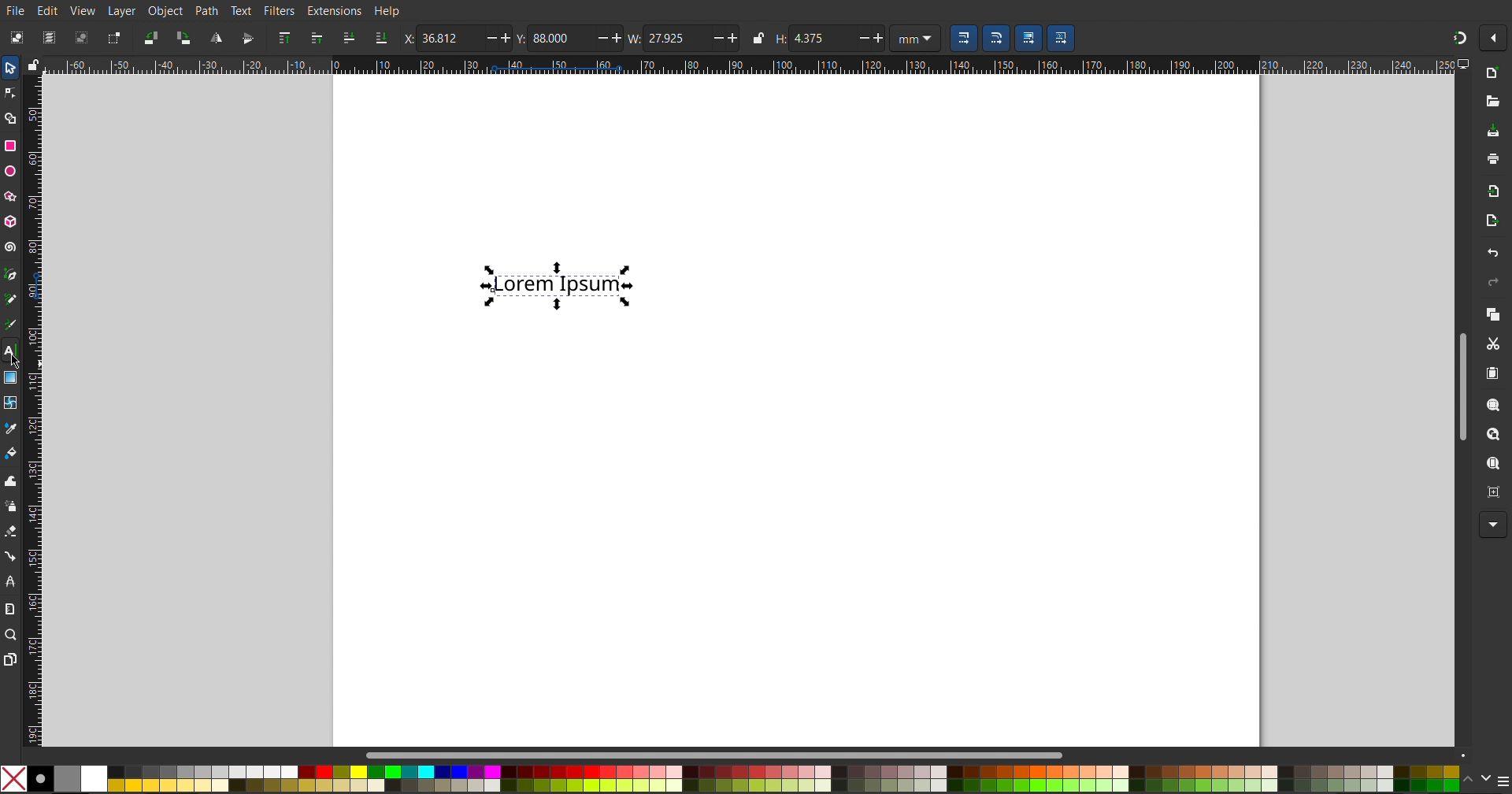 The height and width of the screenshot is (794, 1512). What do you see at coordinates (729, 777) in the screenshot?
I see `Color` at bounding box center [729, 777].